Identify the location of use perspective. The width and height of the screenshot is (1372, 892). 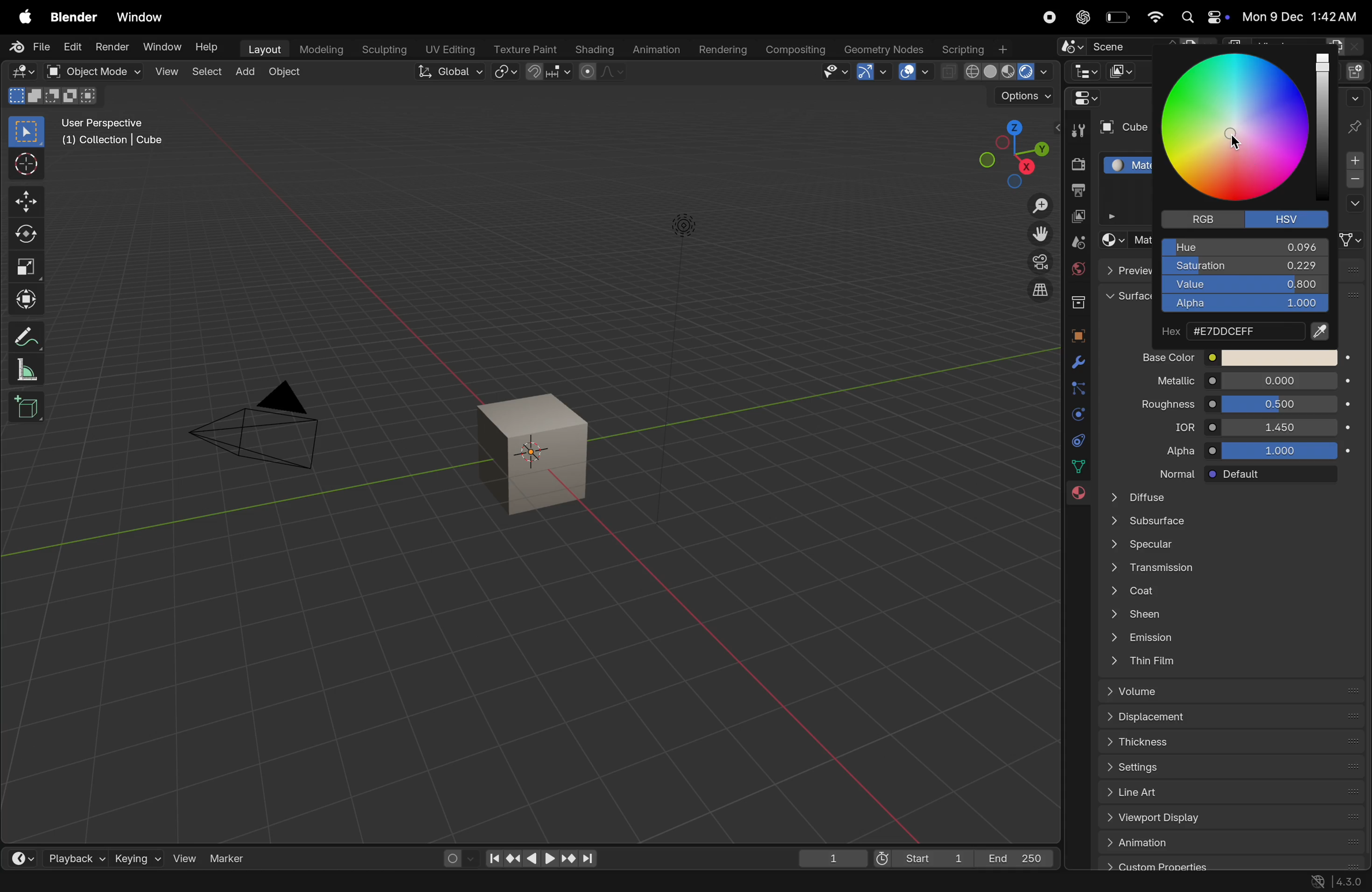
(114, 133).